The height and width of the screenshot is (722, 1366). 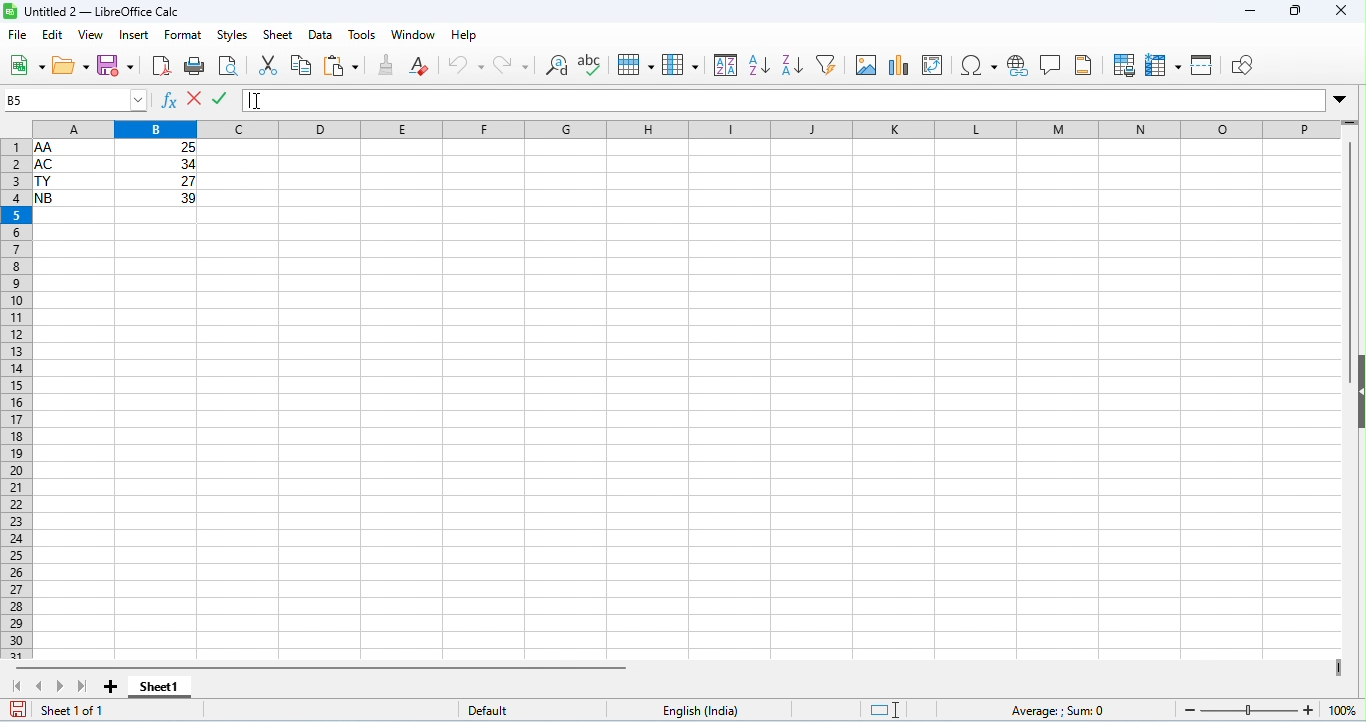 What do you see at coordinates (761, 65) in the screenshot?
I see `sort ascending` at bounding box center [761, 65].